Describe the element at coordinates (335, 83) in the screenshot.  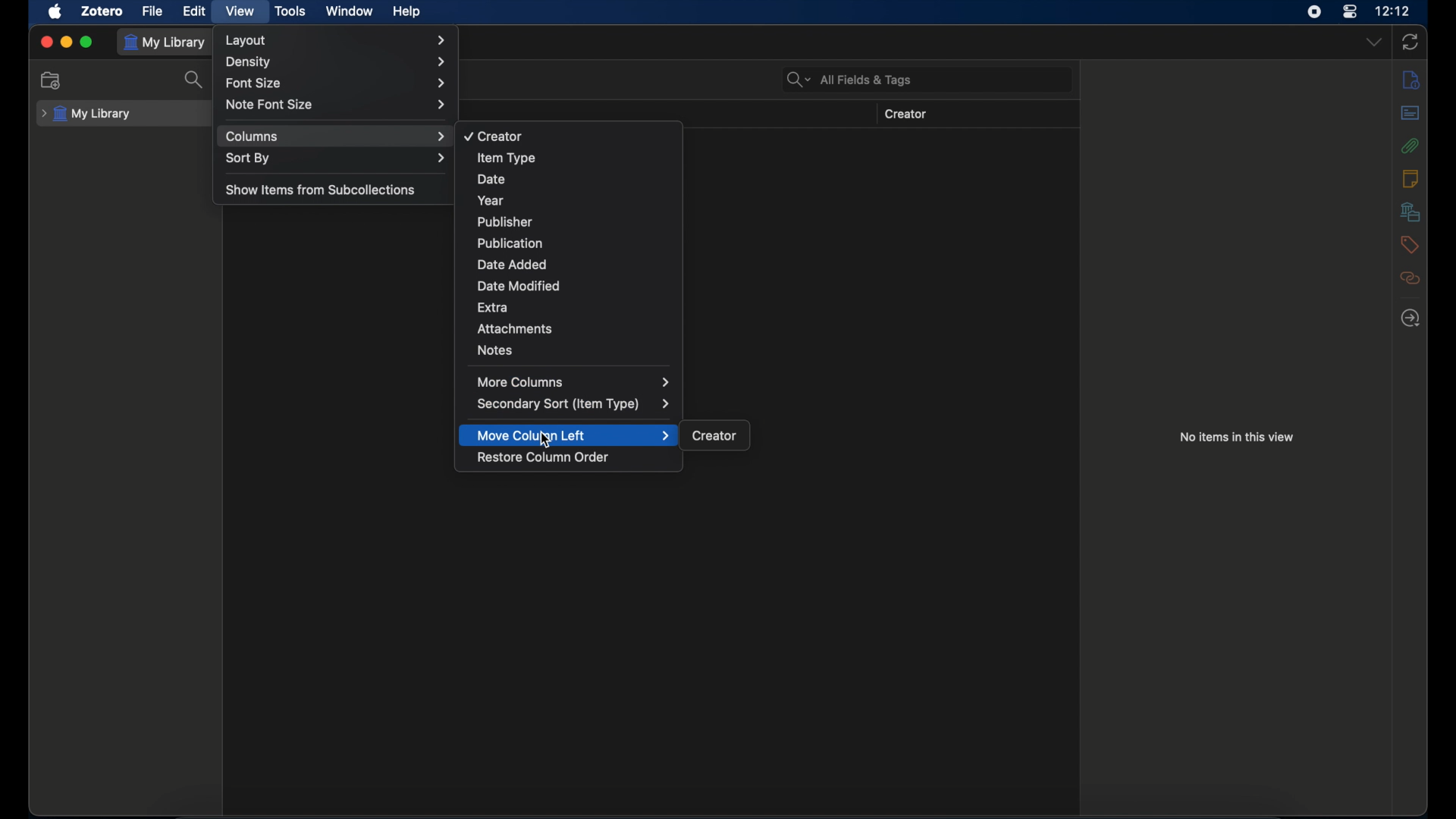
I see `font size` at that location.